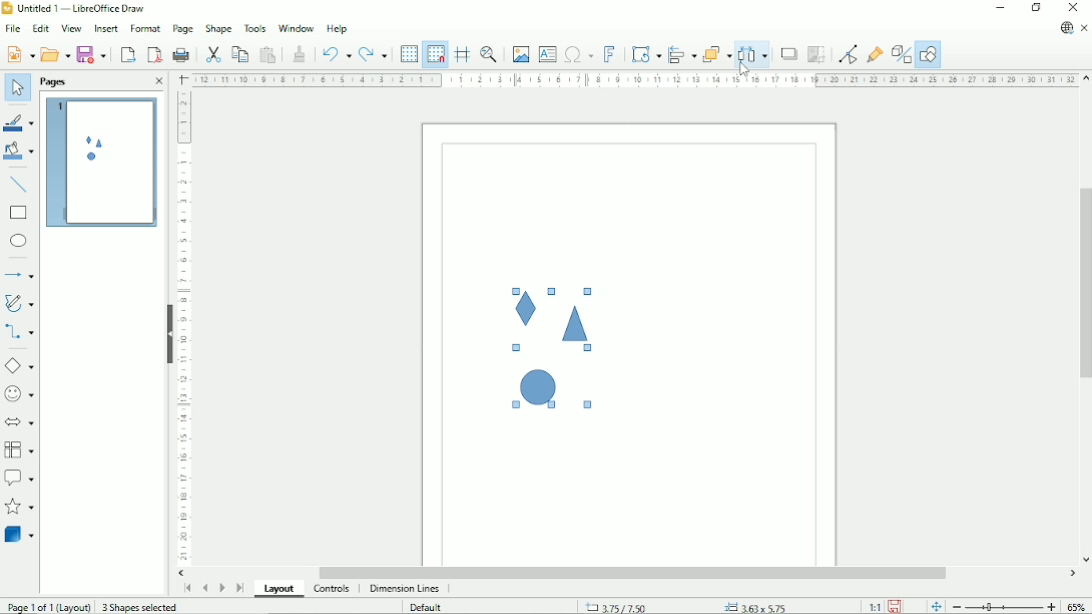  I want to click on Window, so click(294, 28).